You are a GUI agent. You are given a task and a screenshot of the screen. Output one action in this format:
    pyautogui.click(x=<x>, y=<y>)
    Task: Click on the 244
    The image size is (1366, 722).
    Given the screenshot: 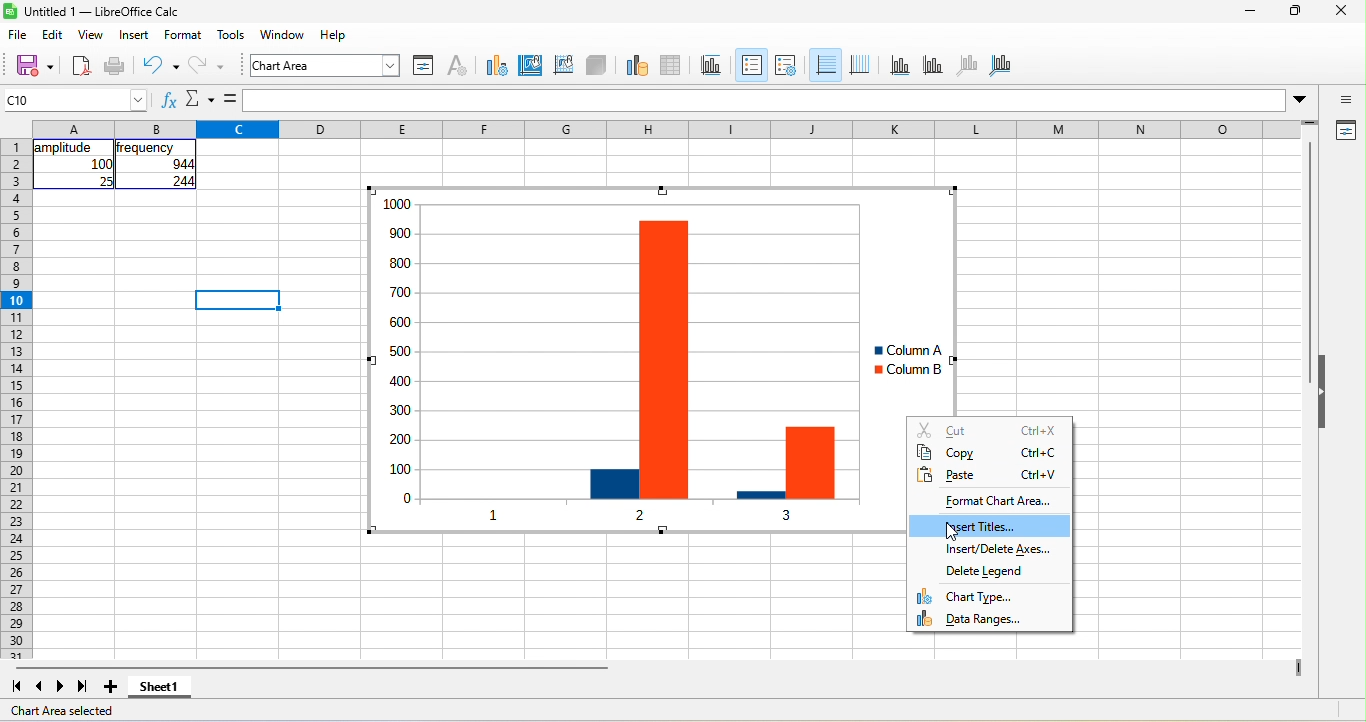 What is the action you would take?
    pyautogui.click(x=183, y=181)
    